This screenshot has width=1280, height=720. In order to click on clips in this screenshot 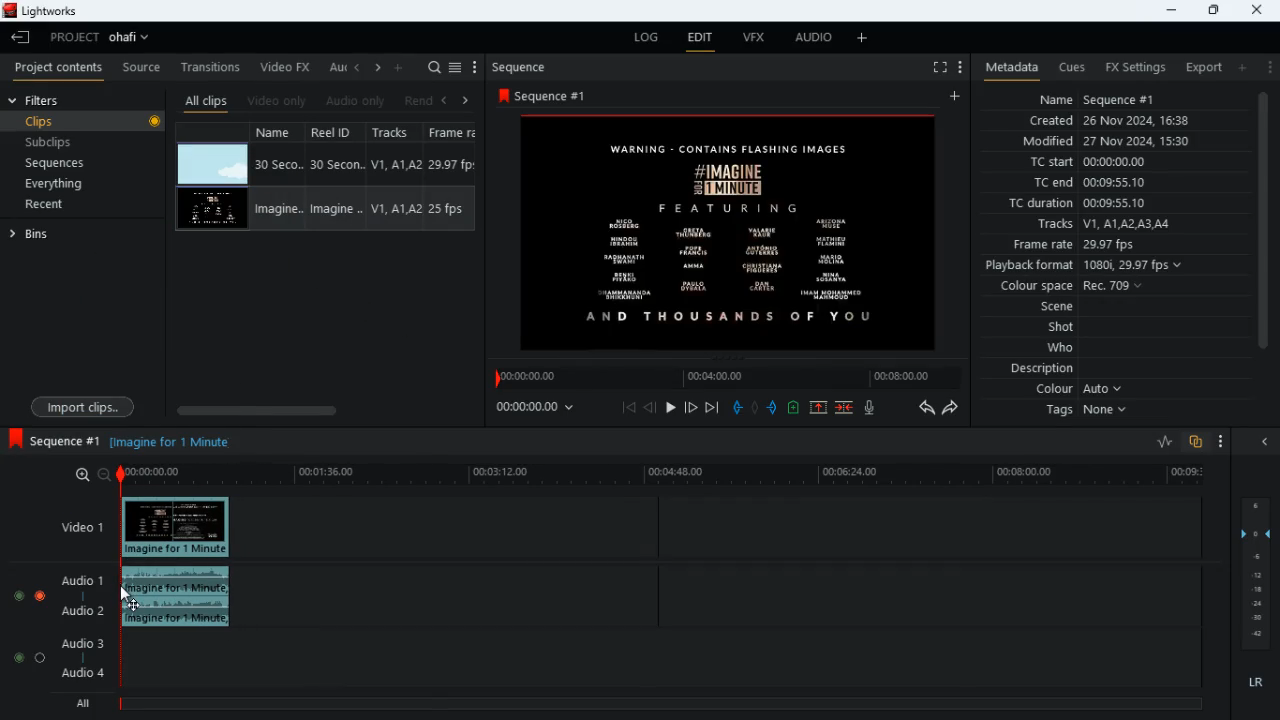, I will do `click(86, 122)`.